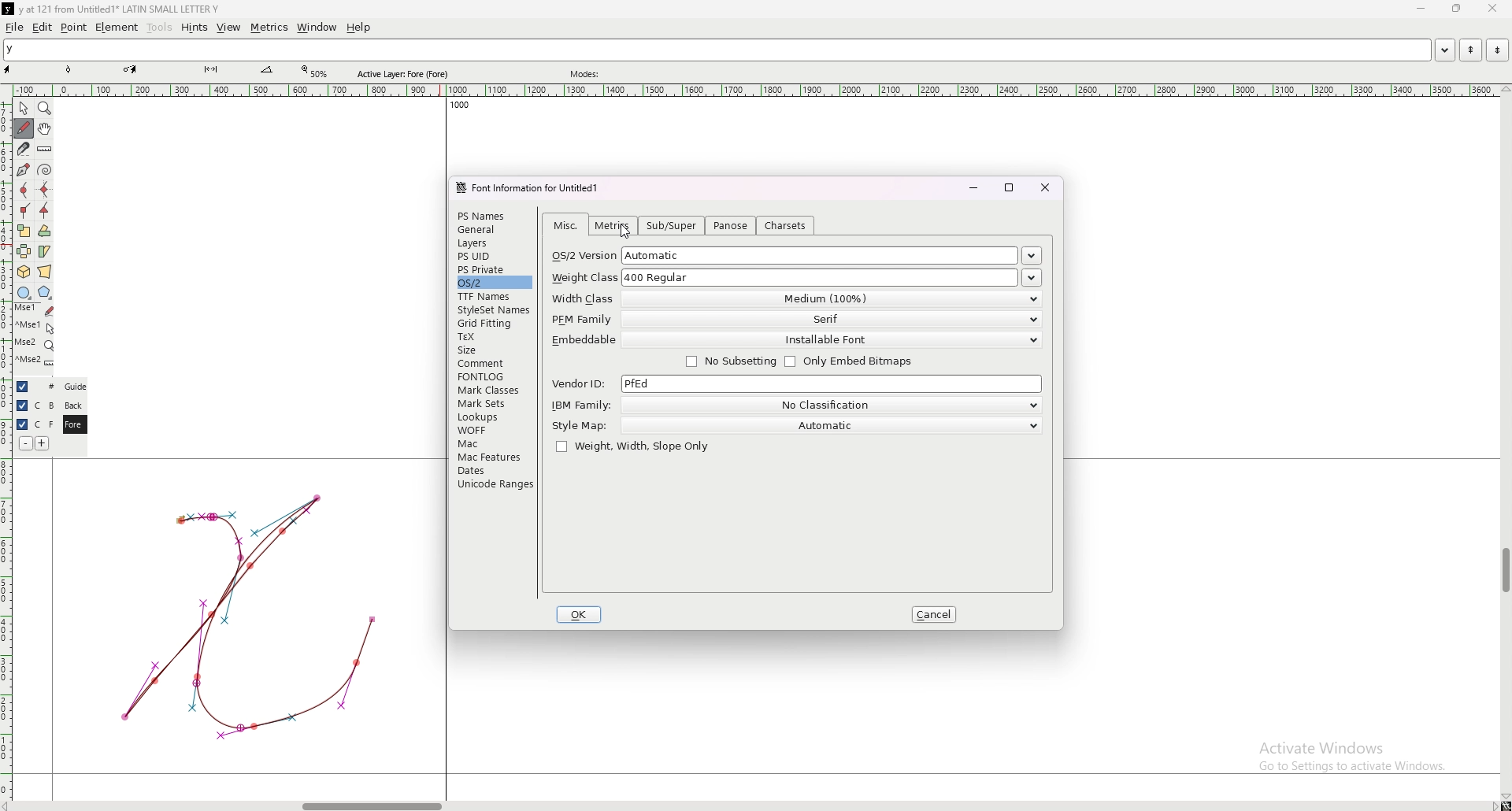 This screenshot has width=1512, height=811. What do you see at coordinates (34, 344) in the screenshot?
I see `mse 2` at bounding box center [34, 344].